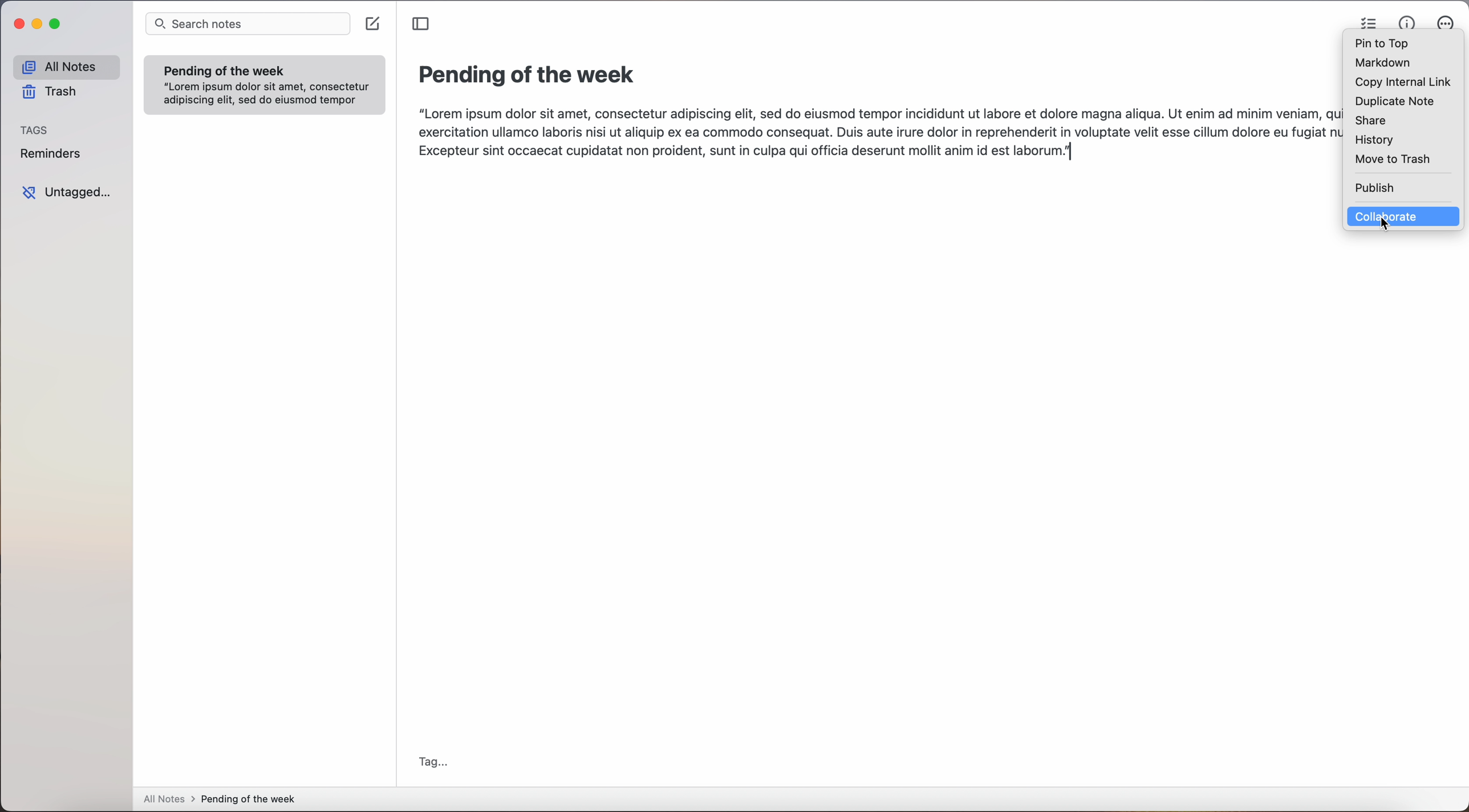  I want to click on untagged, so click(69, 194).